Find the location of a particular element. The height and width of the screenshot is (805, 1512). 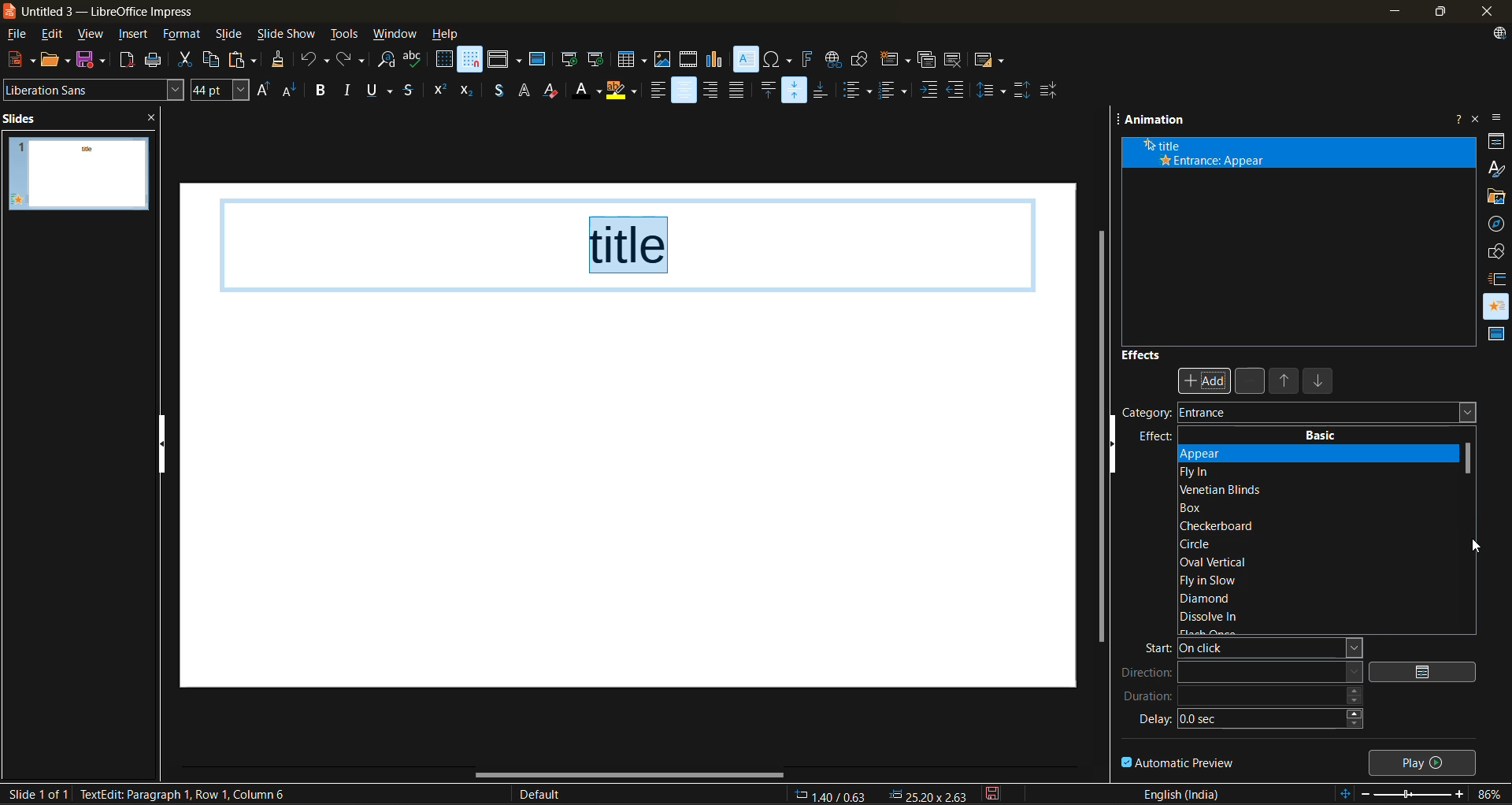

export directly as PDF is located at coordinates (128, 61).